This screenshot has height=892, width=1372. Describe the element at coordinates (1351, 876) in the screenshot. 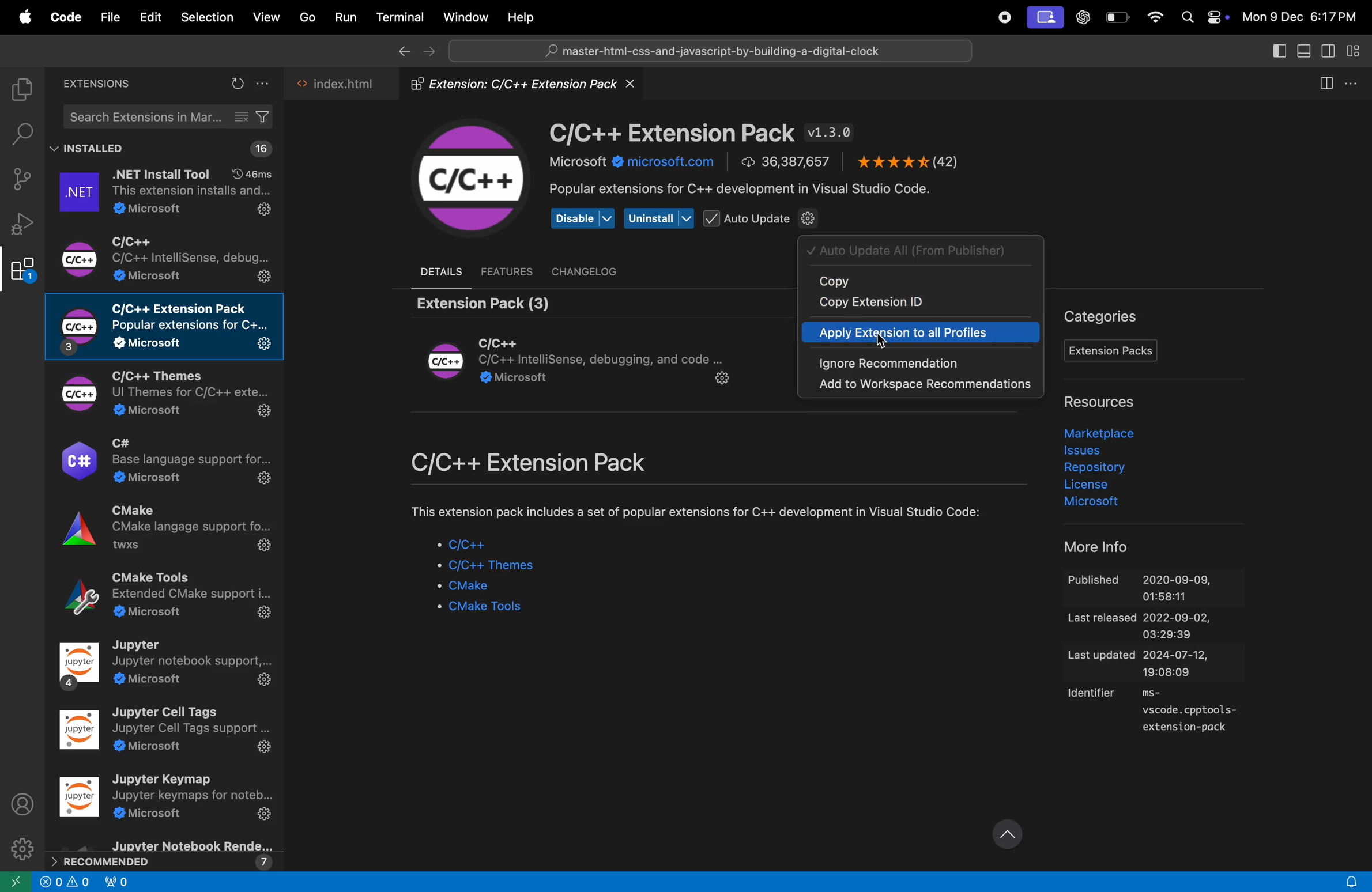

I see `alert` at that location.